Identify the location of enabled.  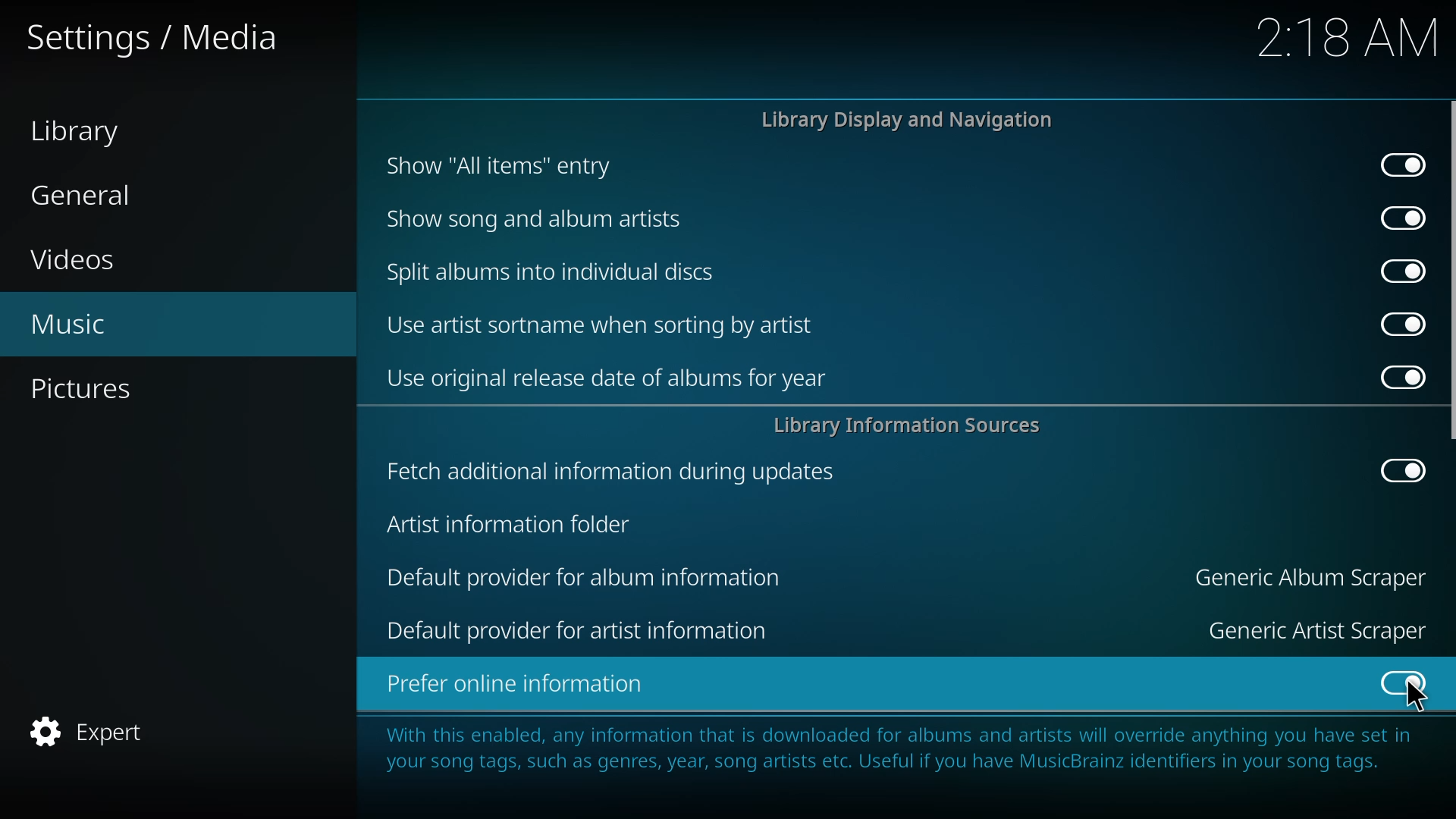
(1397, 269).